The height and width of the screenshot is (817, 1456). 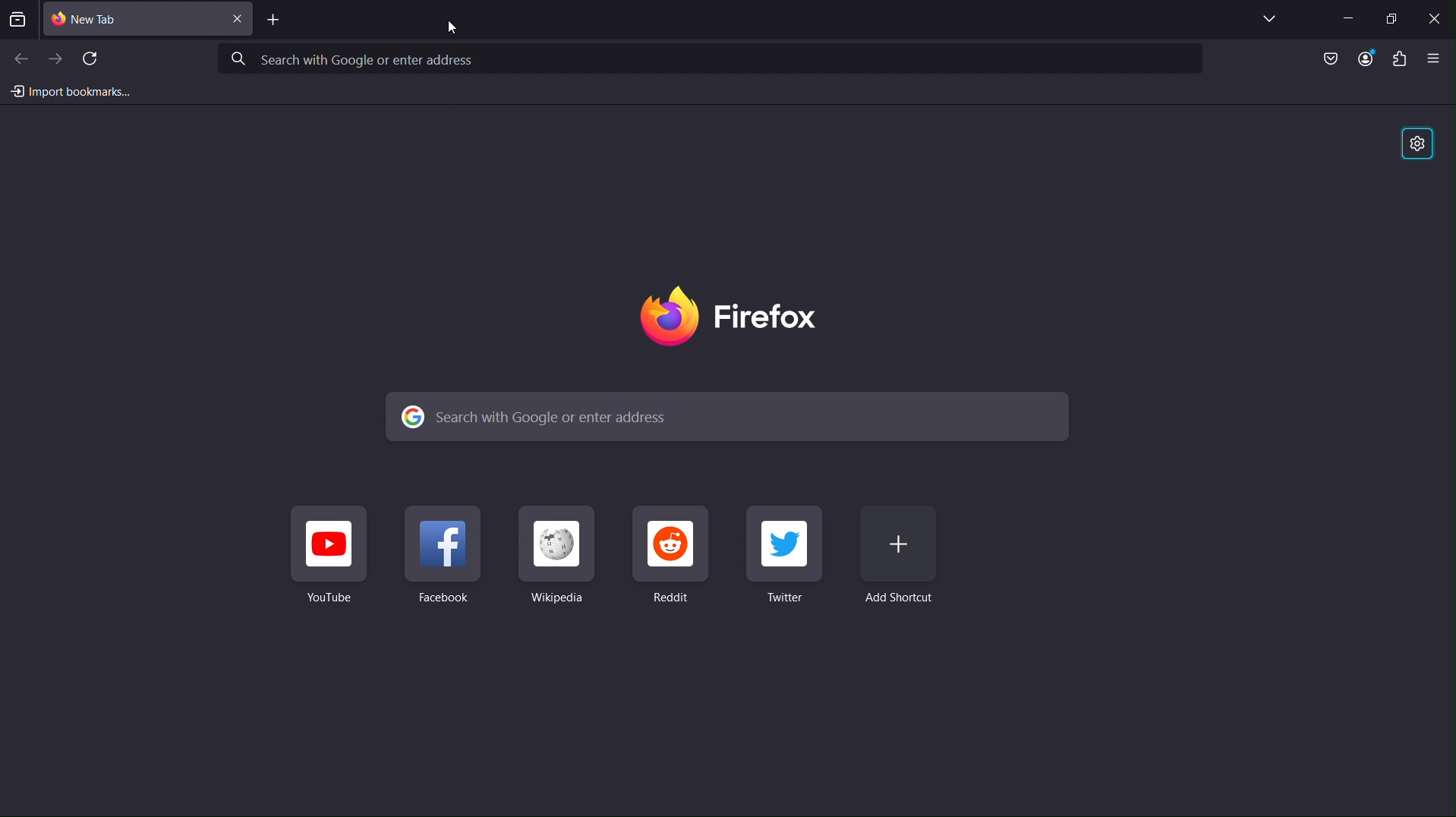 I want to click on Show Application Menu, so click(x=1438, y=58).